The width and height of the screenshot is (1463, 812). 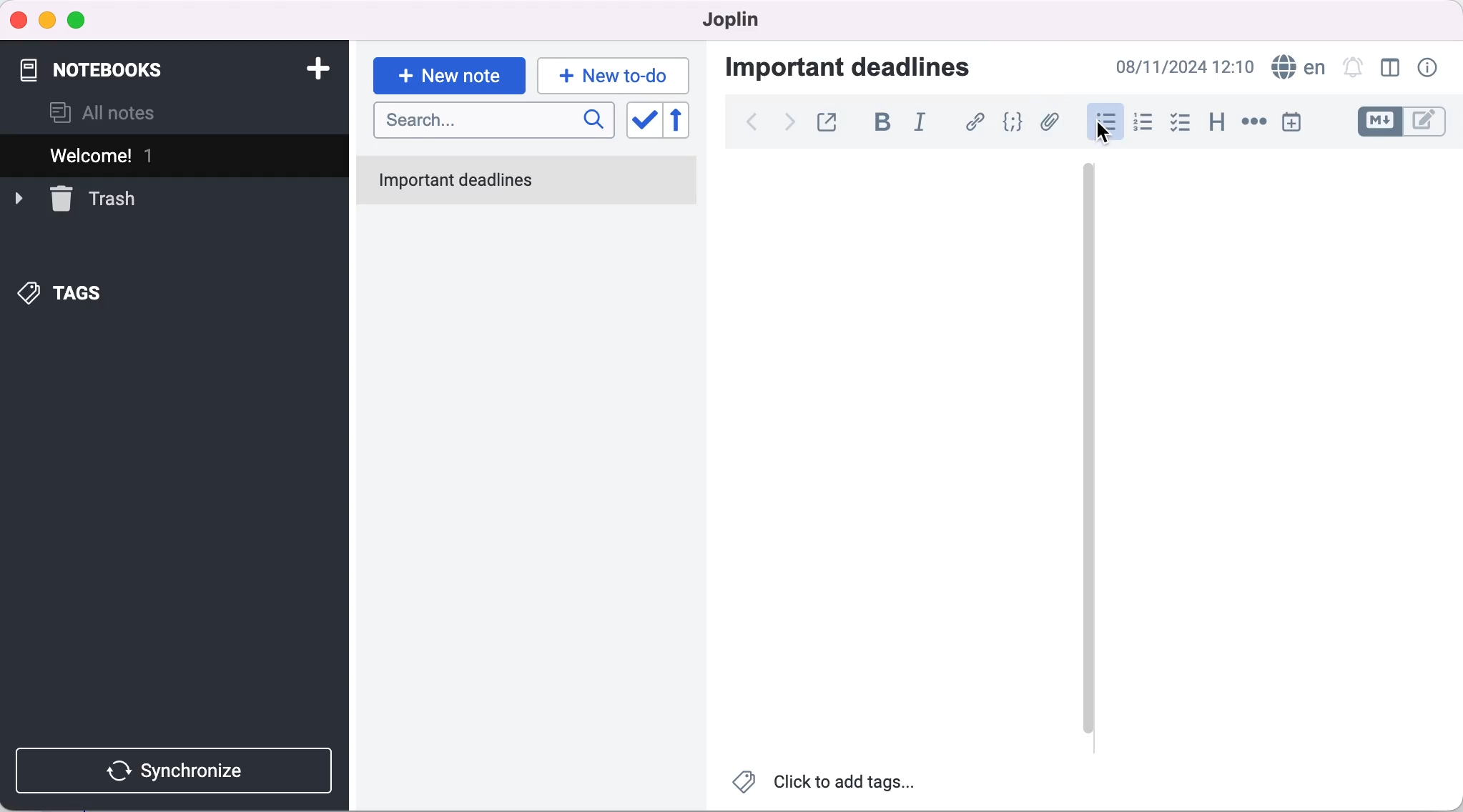 I want to click on numbered list, so click(x=1142, y=123).